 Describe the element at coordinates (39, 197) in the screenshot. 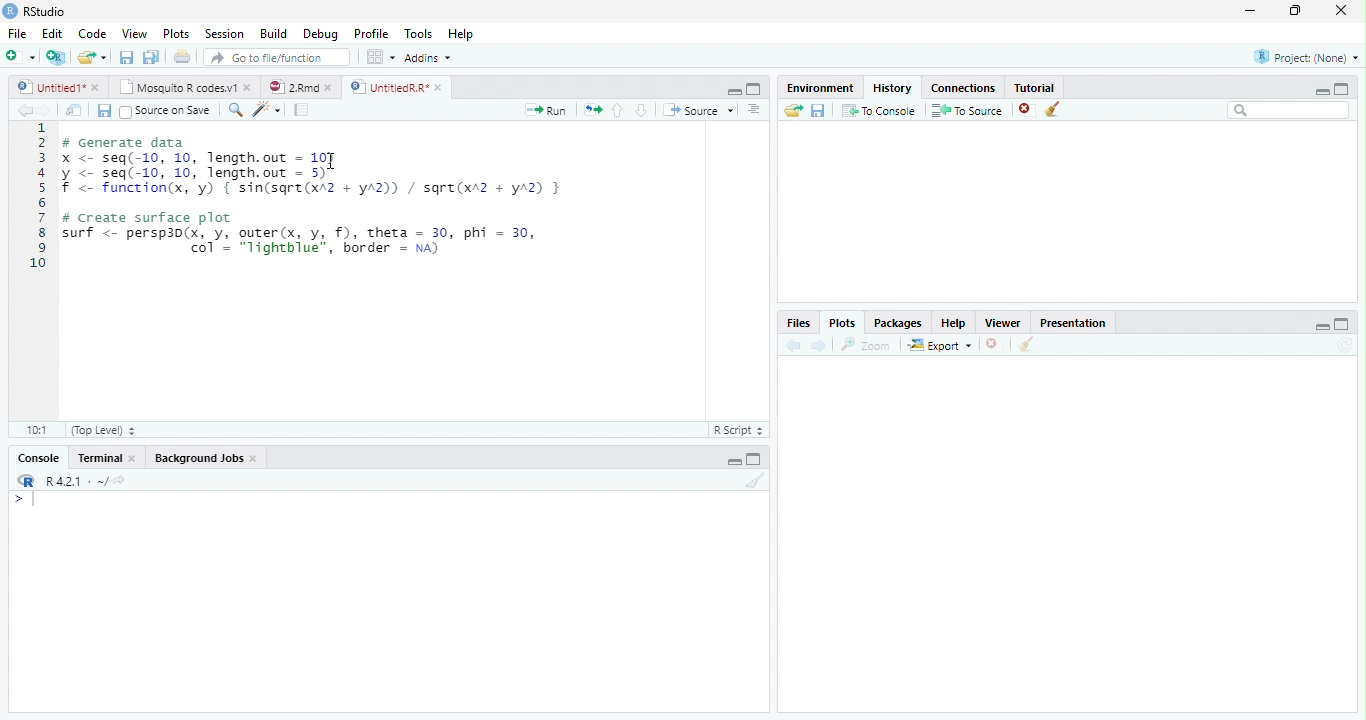

I see `Line numbers` at that location.